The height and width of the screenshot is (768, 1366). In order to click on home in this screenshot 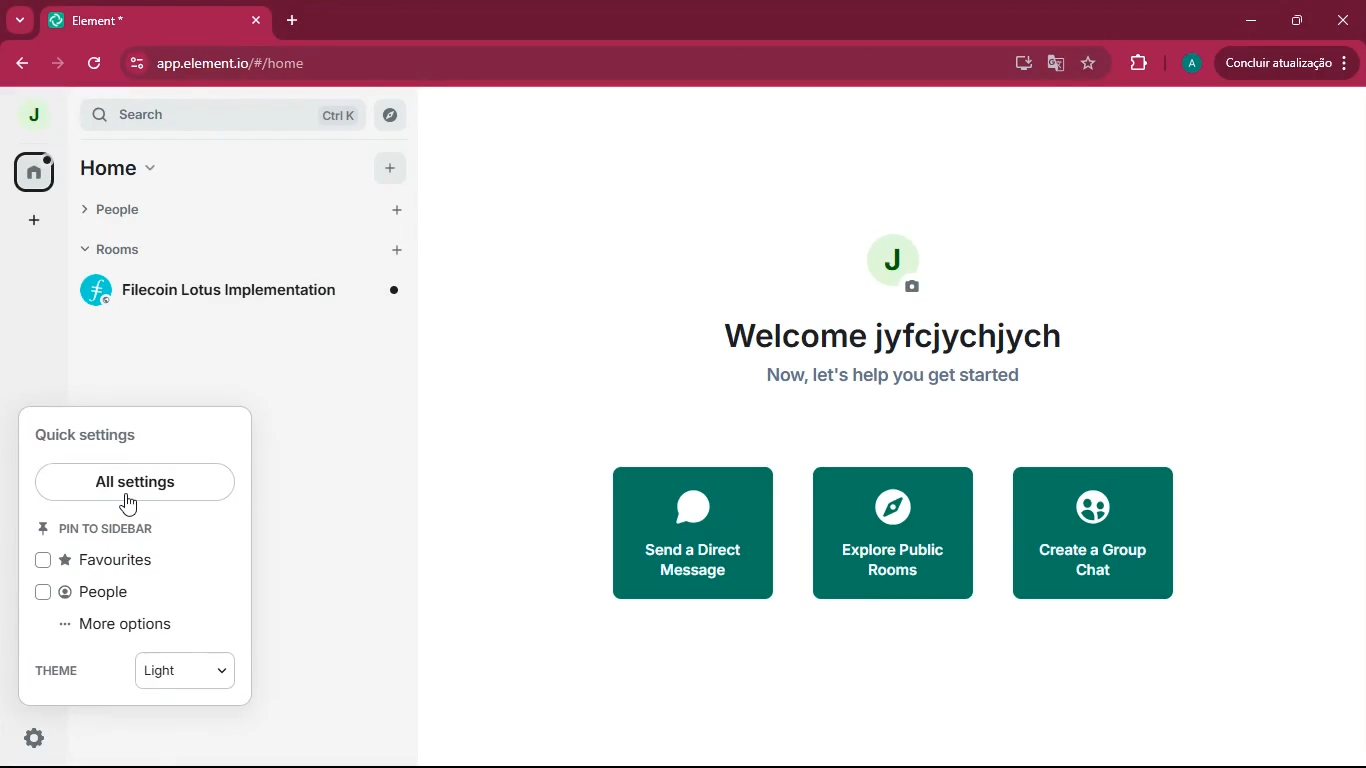, I will do `click(219, 170)`.